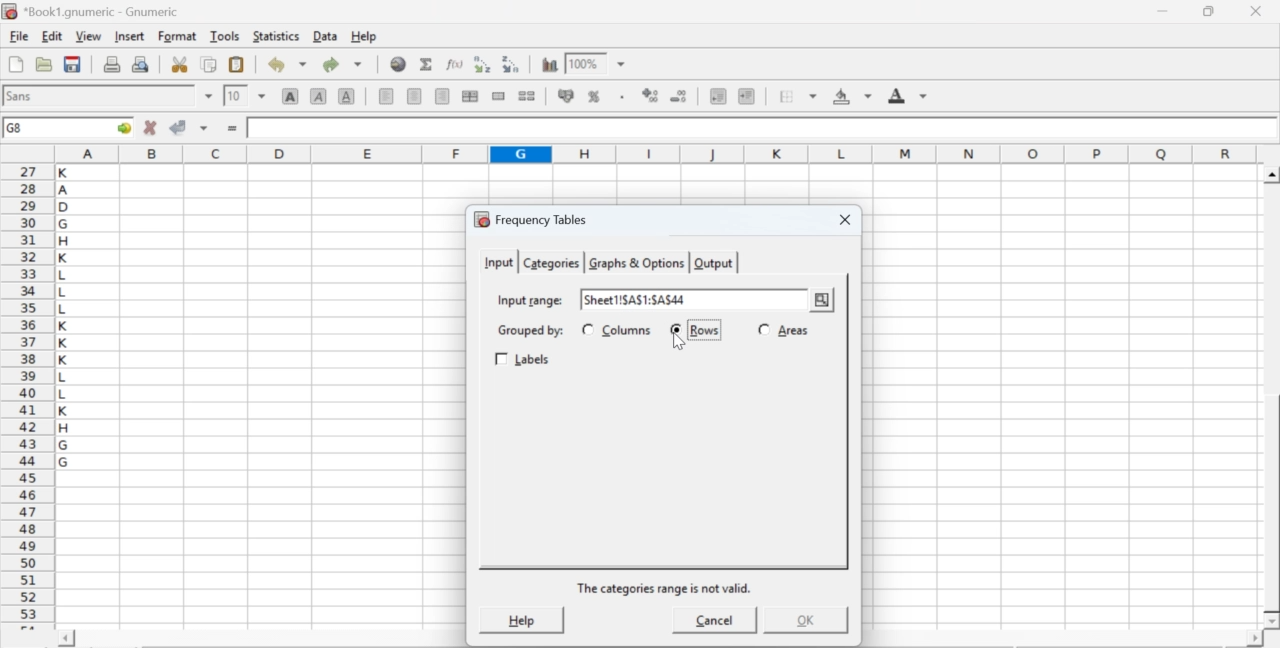  Describe the element at coordinates (628, 330) in the screenshot. I see `columns` at that location.